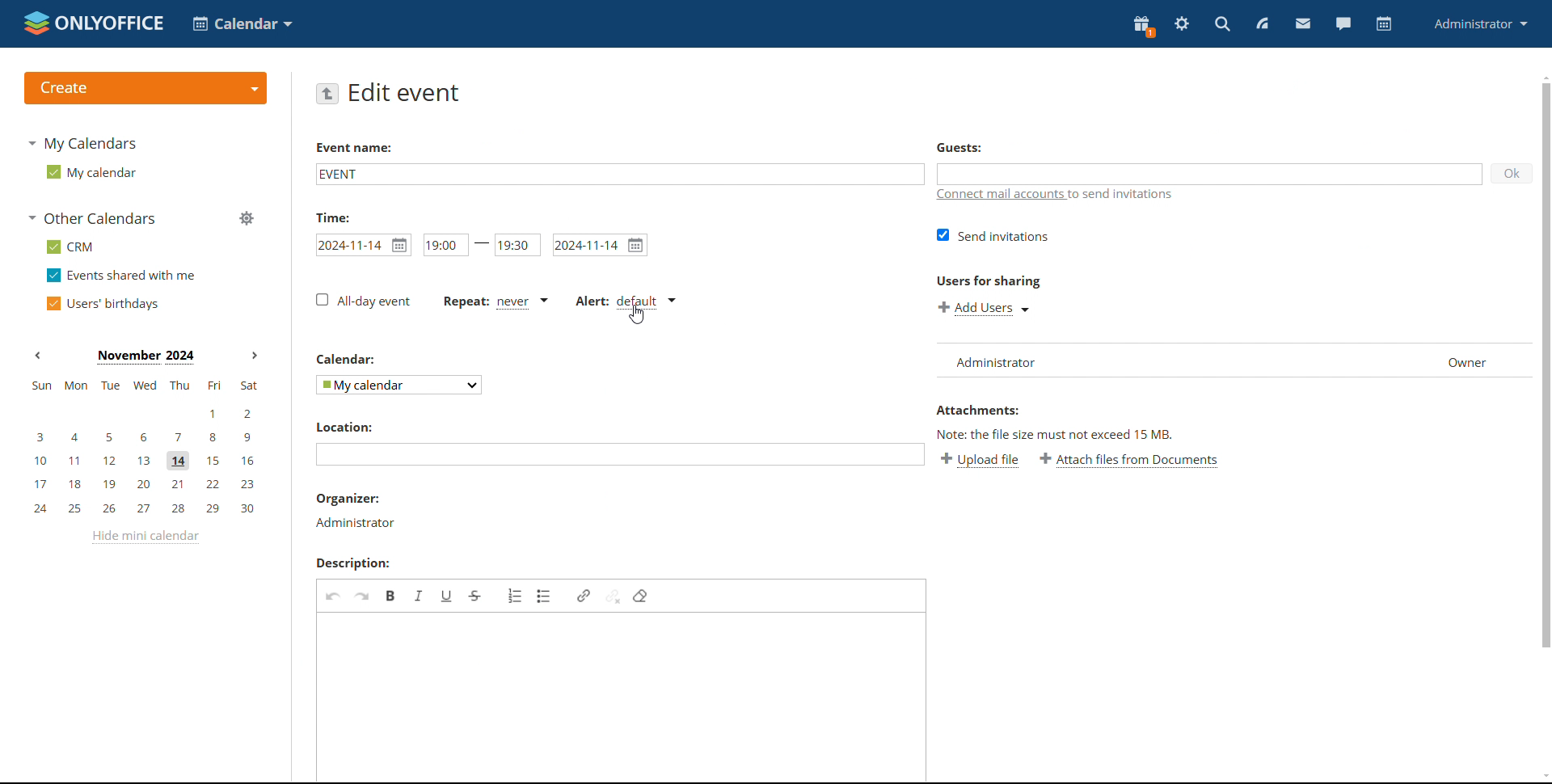 This screenshot has height=784, width=1552. Describe the element at coordinates (334, 595) in the screenshot. I see `undo` at that location.